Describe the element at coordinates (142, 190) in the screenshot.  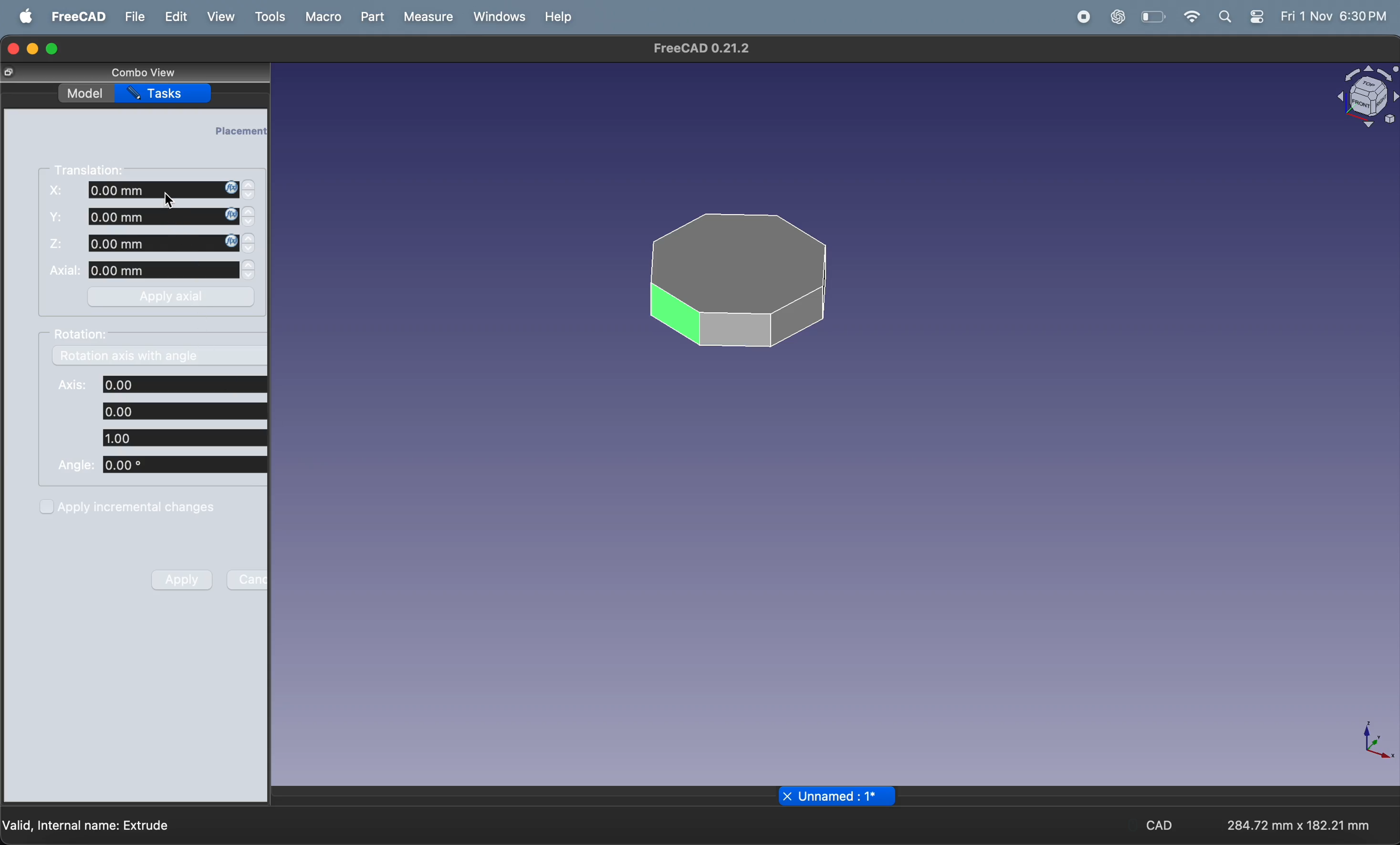
I see `X: 0.00 mm` at that location.